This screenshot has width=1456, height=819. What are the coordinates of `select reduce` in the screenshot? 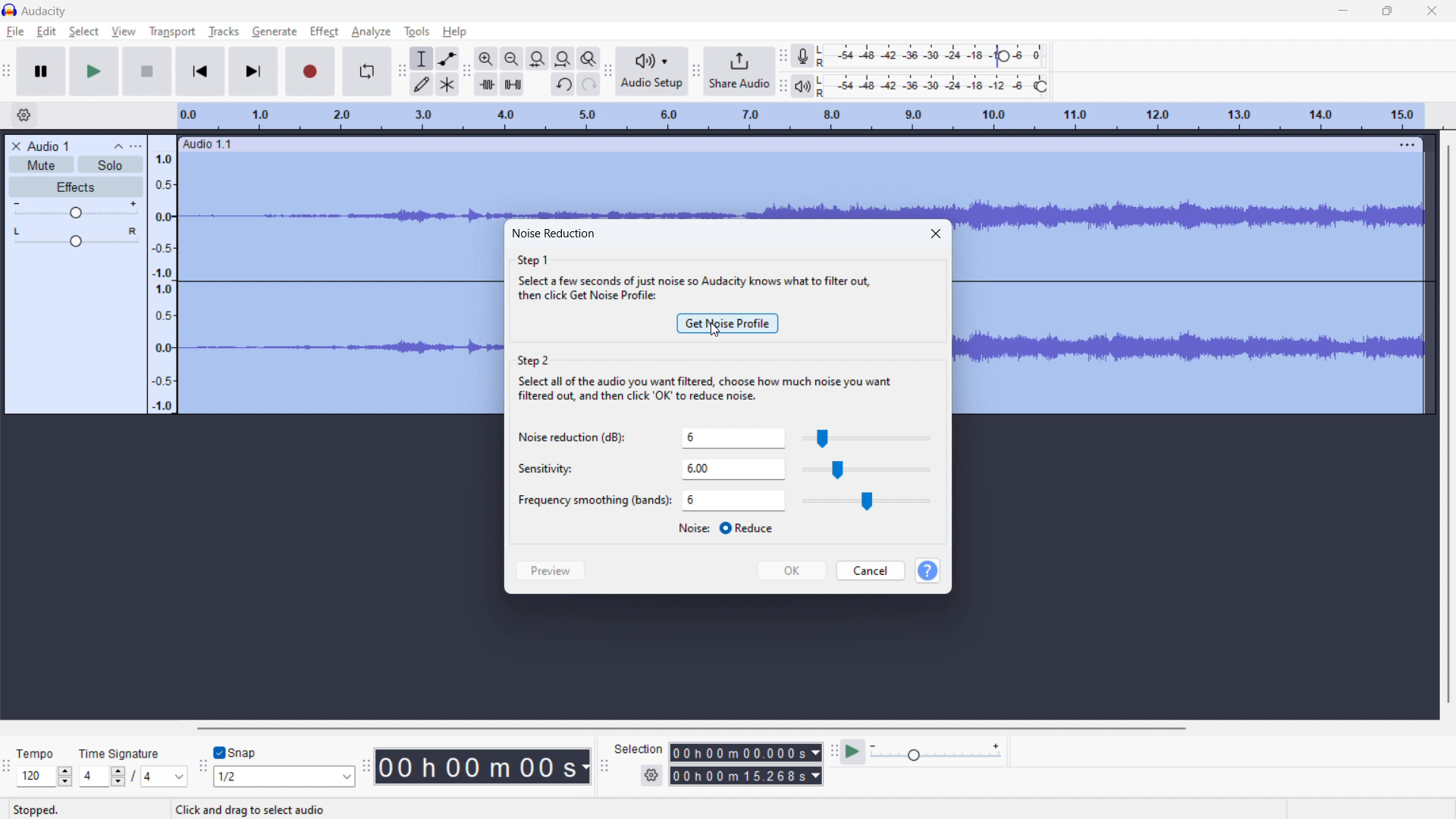 It's located at (725, 529).